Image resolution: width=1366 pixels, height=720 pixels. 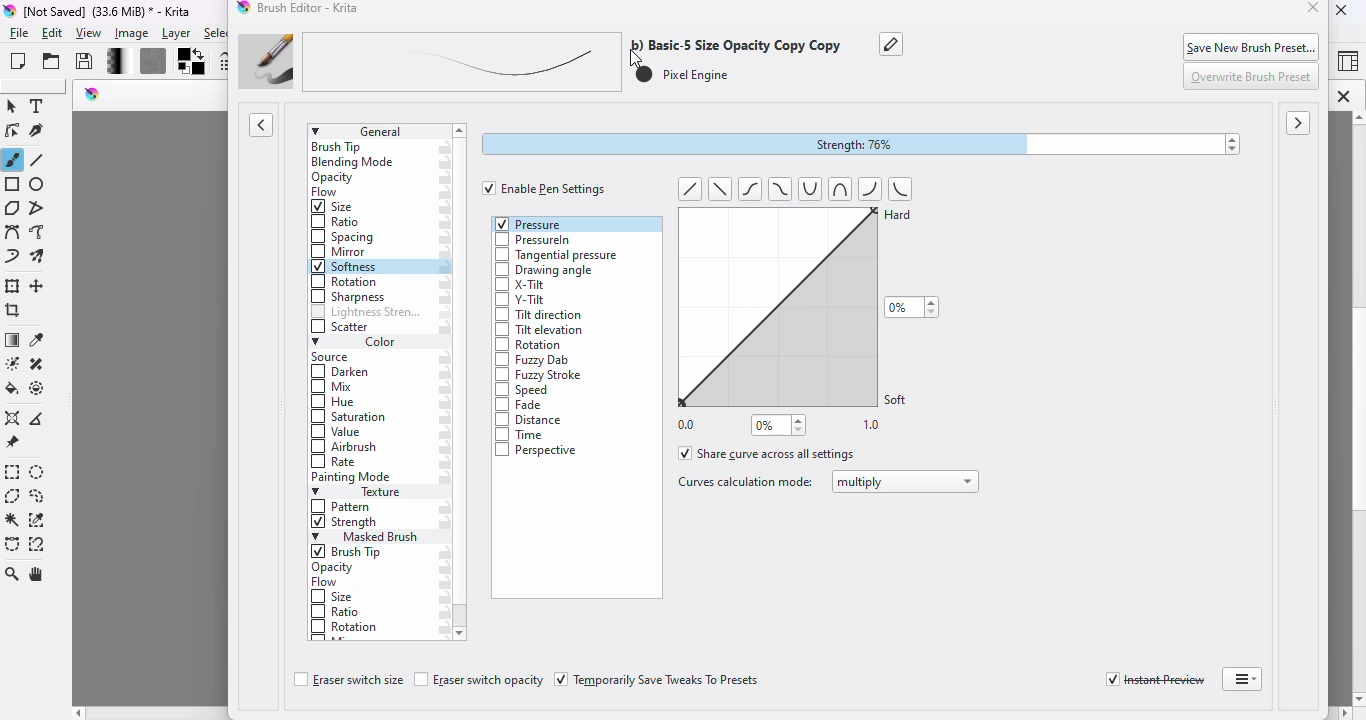 I want to click on rectangular selection tool, so click(x=13, y=472).